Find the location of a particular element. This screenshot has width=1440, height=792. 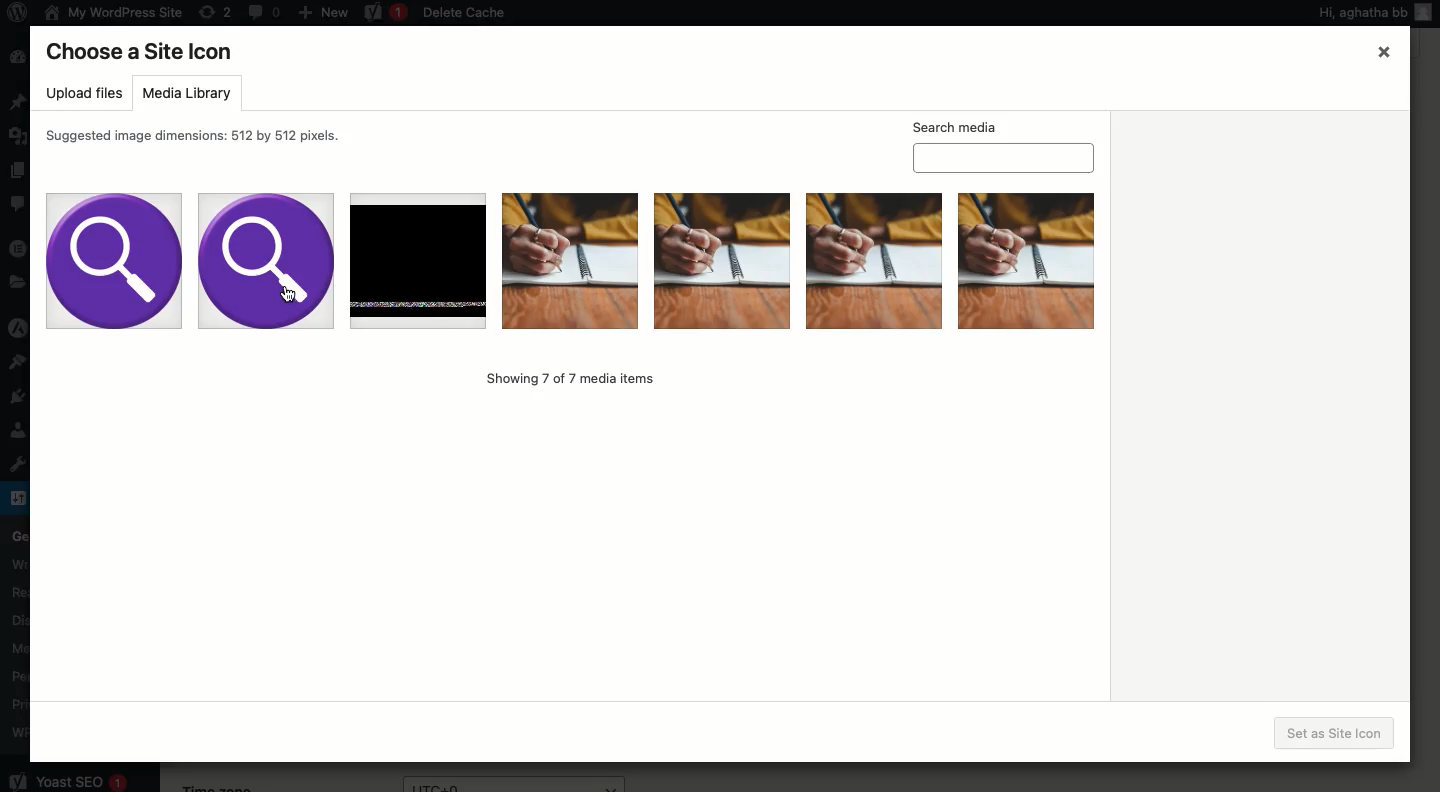

Image is located at coordinates (422, 256).